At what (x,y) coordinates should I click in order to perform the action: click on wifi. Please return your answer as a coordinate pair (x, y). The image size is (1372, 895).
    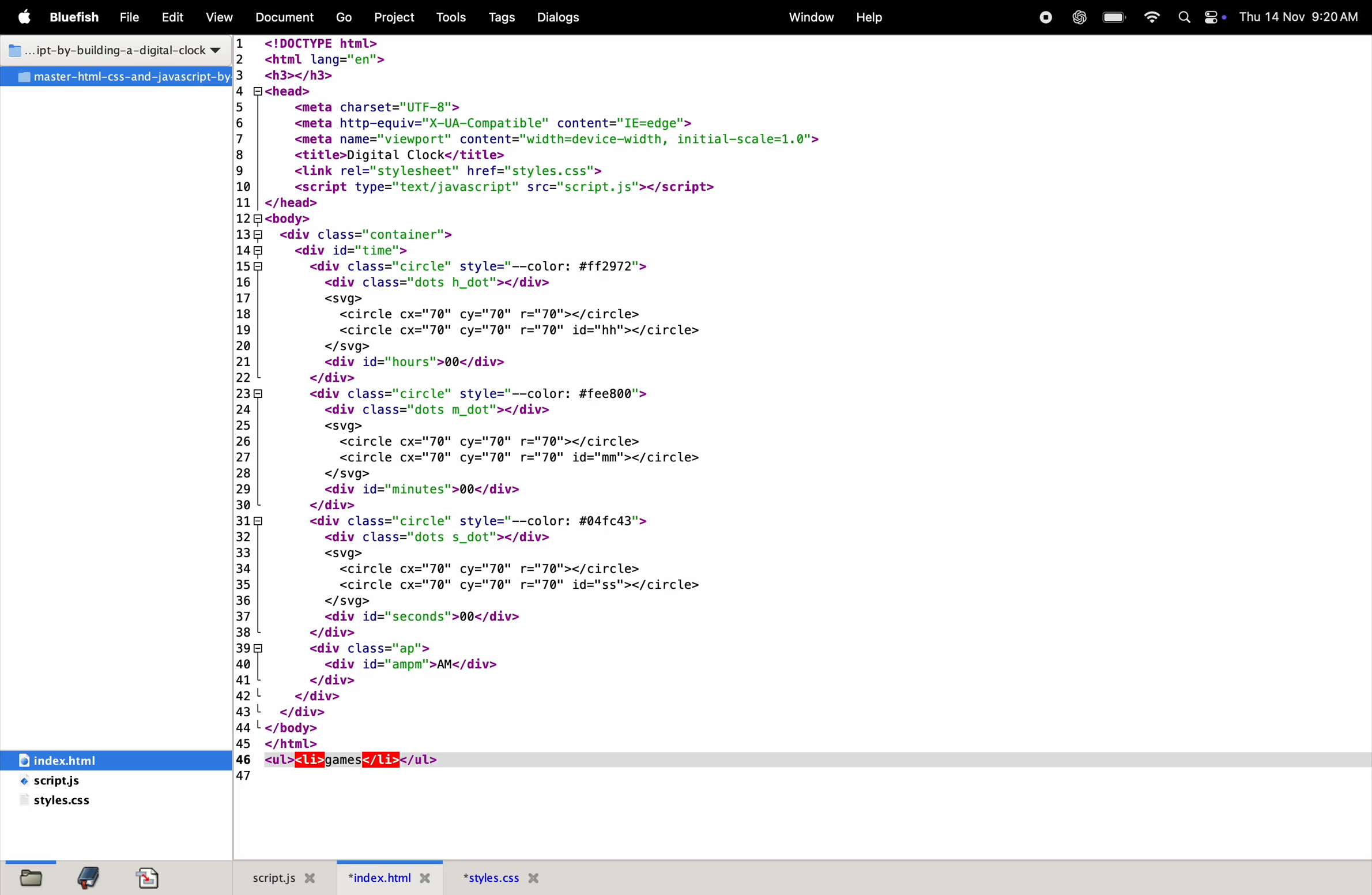
    Looking at the image, I should click on (1151, 18).